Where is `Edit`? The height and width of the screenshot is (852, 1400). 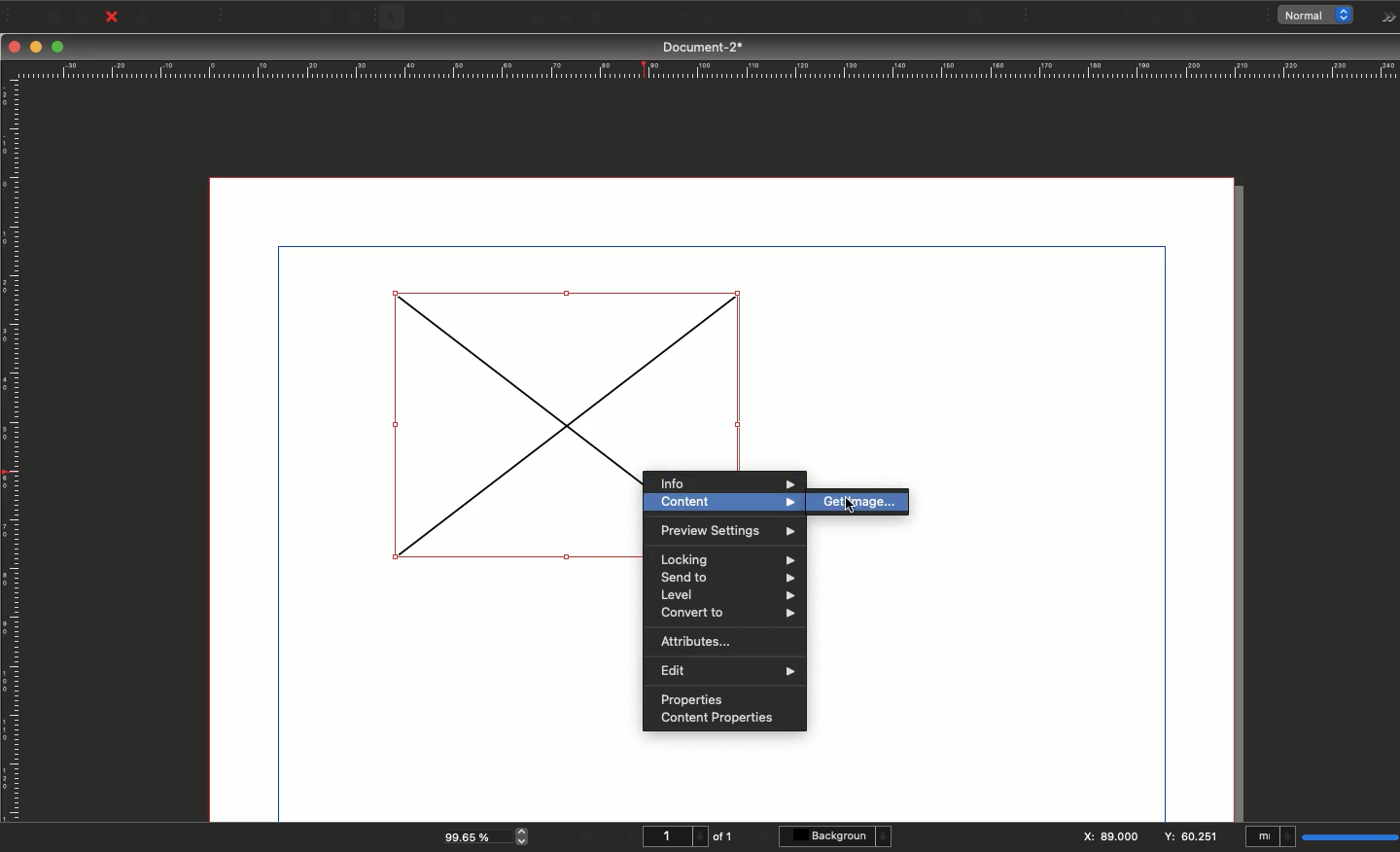
Edit is located at coordinates (726, 669).